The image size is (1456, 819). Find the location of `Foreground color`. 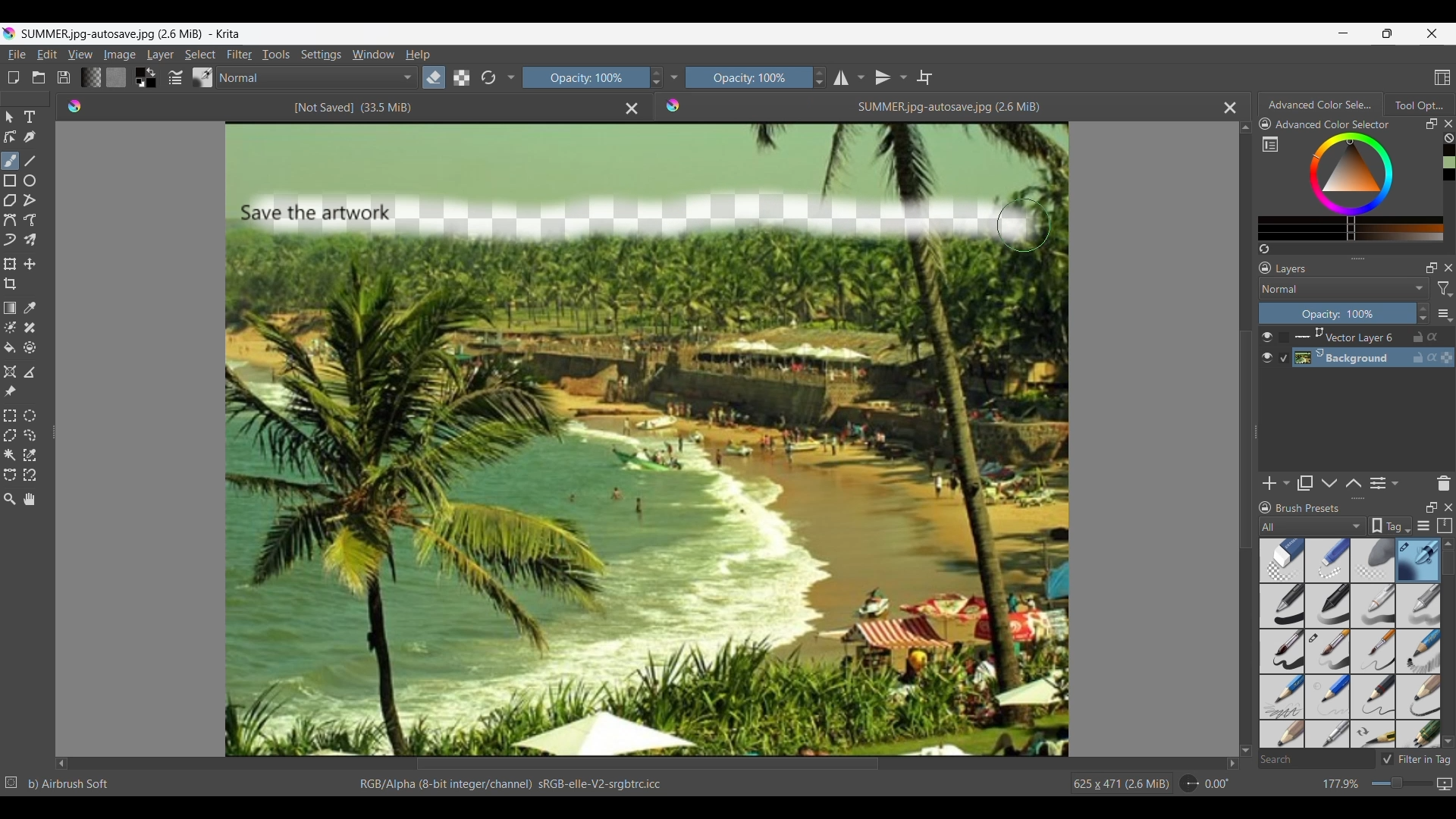

Foreground color is located at coordinates (137, 71).